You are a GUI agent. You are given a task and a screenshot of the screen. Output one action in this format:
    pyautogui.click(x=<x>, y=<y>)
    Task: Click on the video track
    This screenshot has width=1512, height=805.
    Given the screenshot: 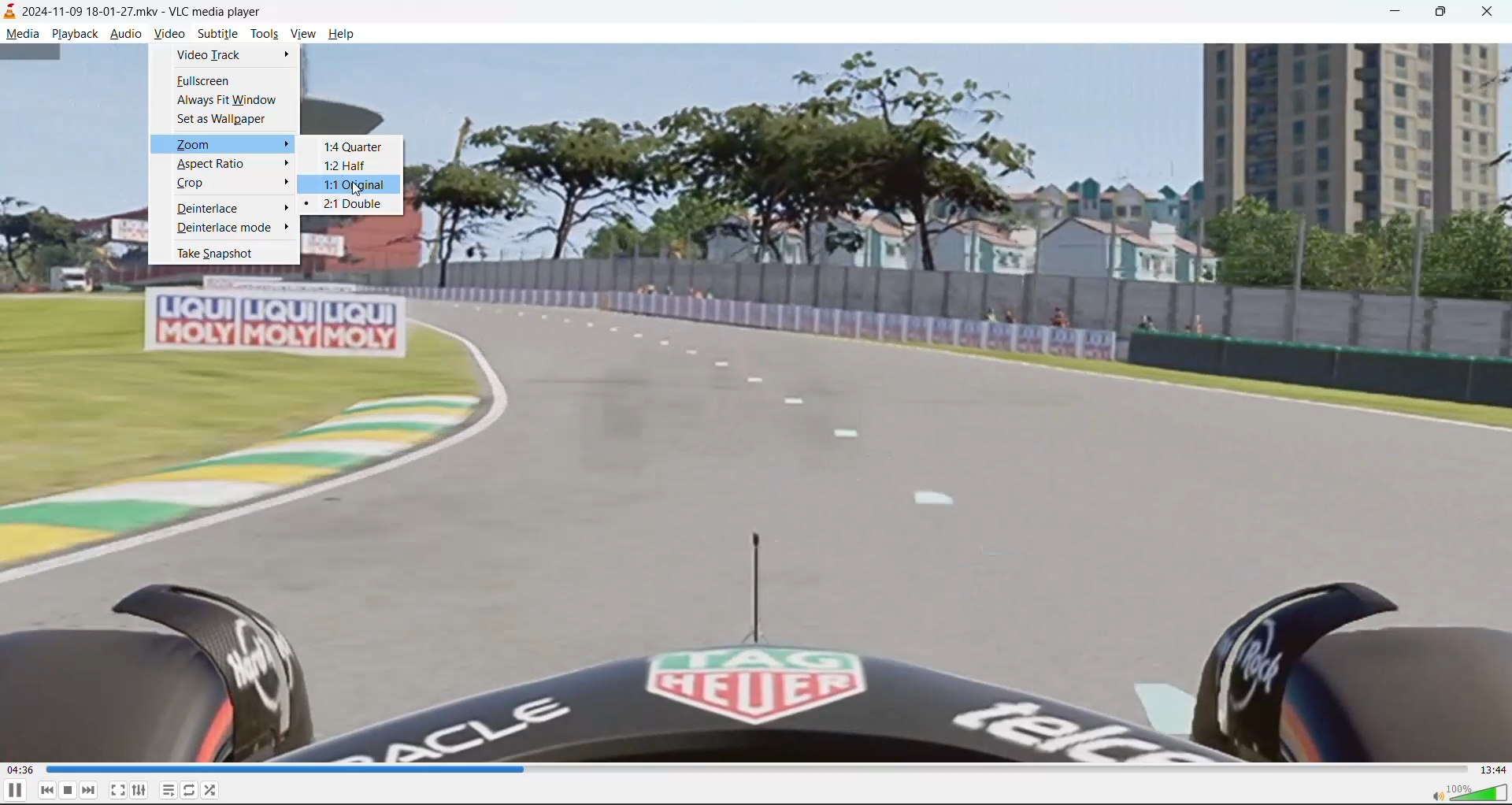 What is the action you would take?
    pyautogui.click(x=225, y=56)
    